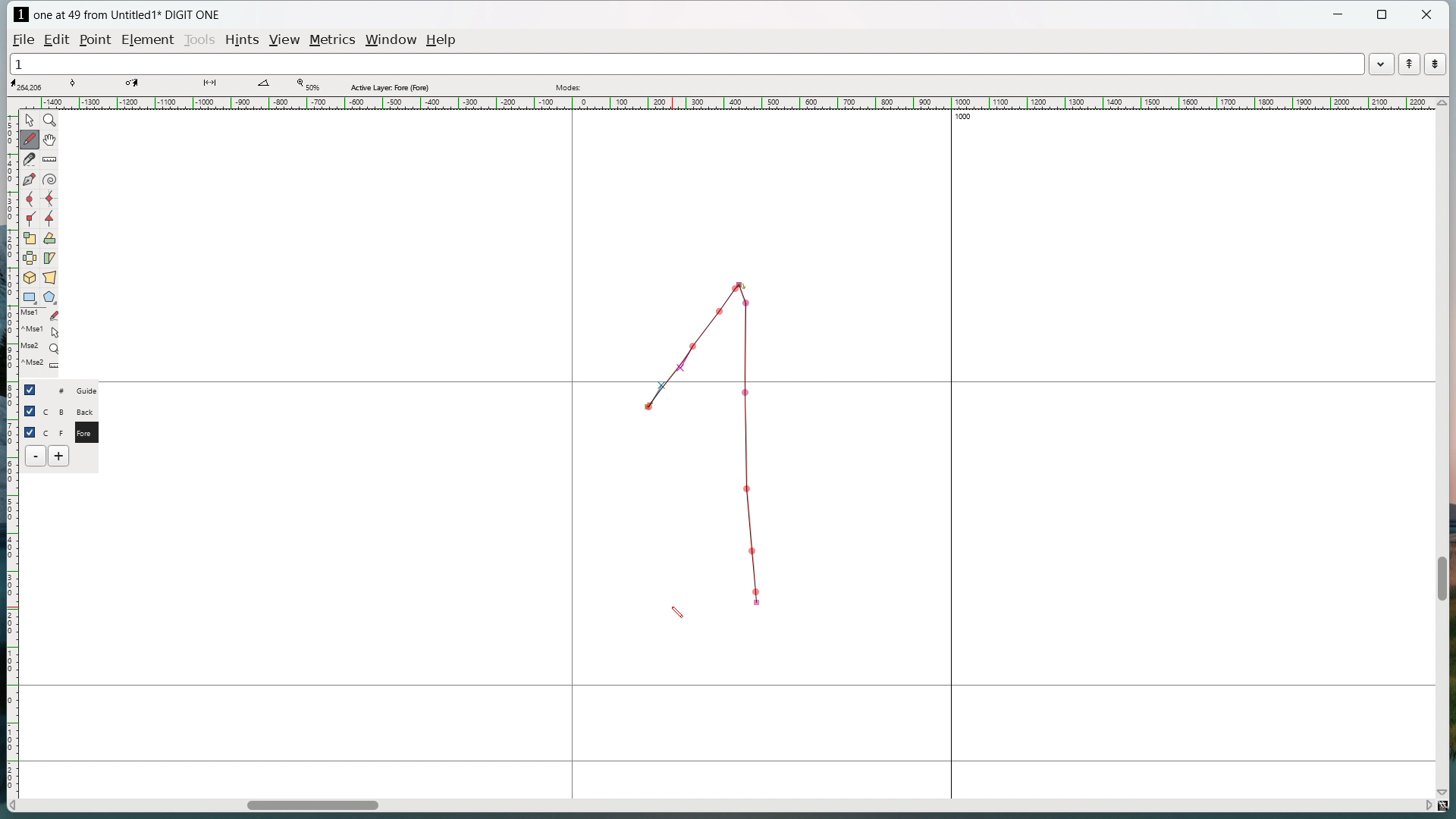 This screenshot has height=819, width=1456. What do you see at coordinates (1441, 103) in the screenshot?
I see `scroll up` at bounding box center [1441, 103].